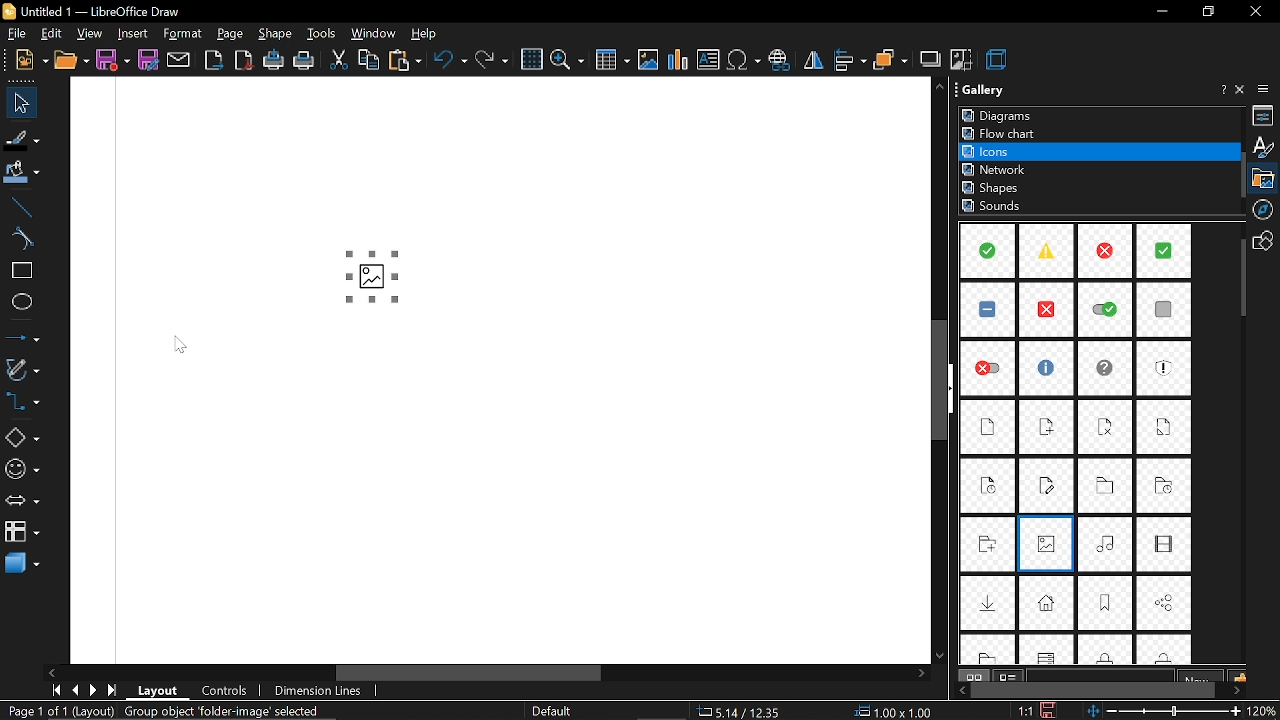  I want to click on previous page, so click(74, 690).